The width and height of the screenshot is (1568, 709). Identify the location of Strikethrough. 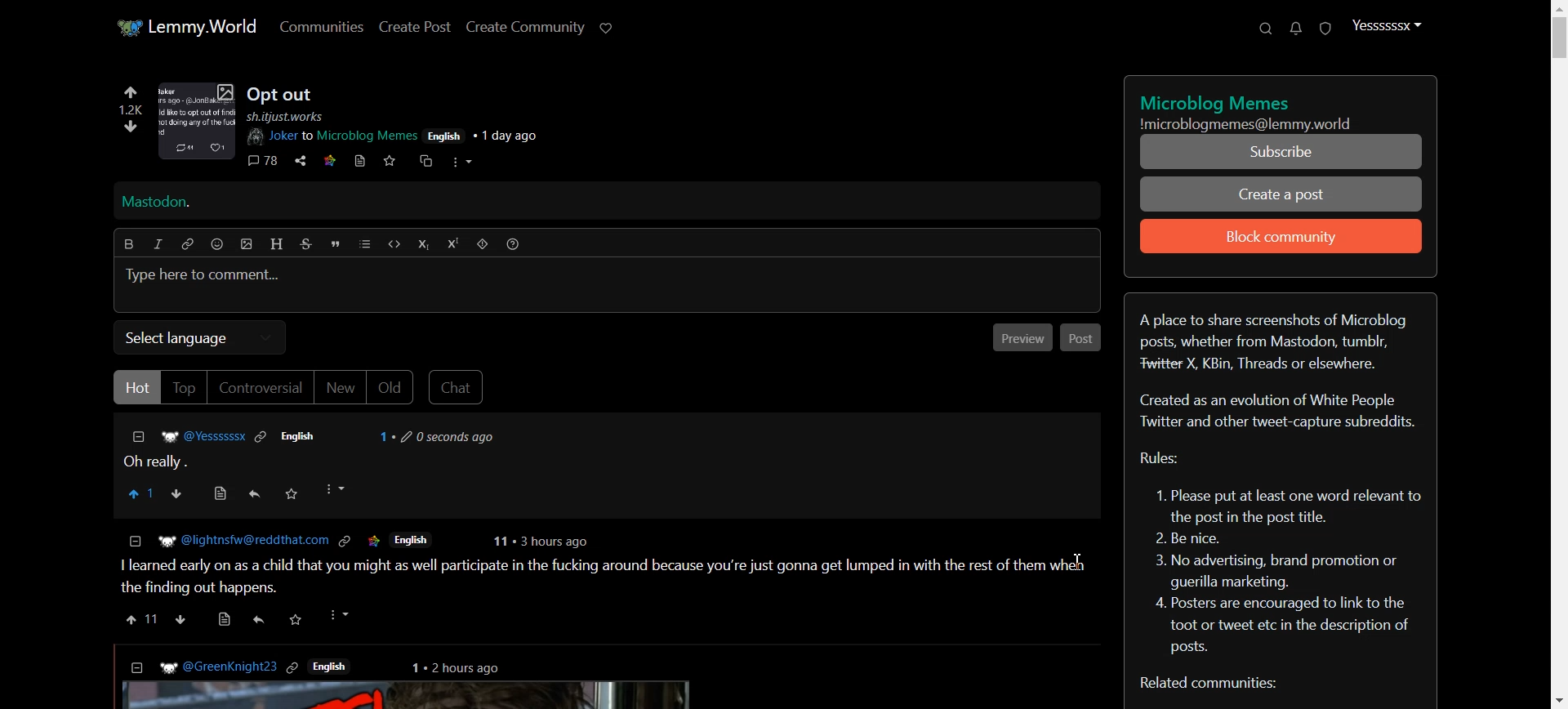
(305, 243).